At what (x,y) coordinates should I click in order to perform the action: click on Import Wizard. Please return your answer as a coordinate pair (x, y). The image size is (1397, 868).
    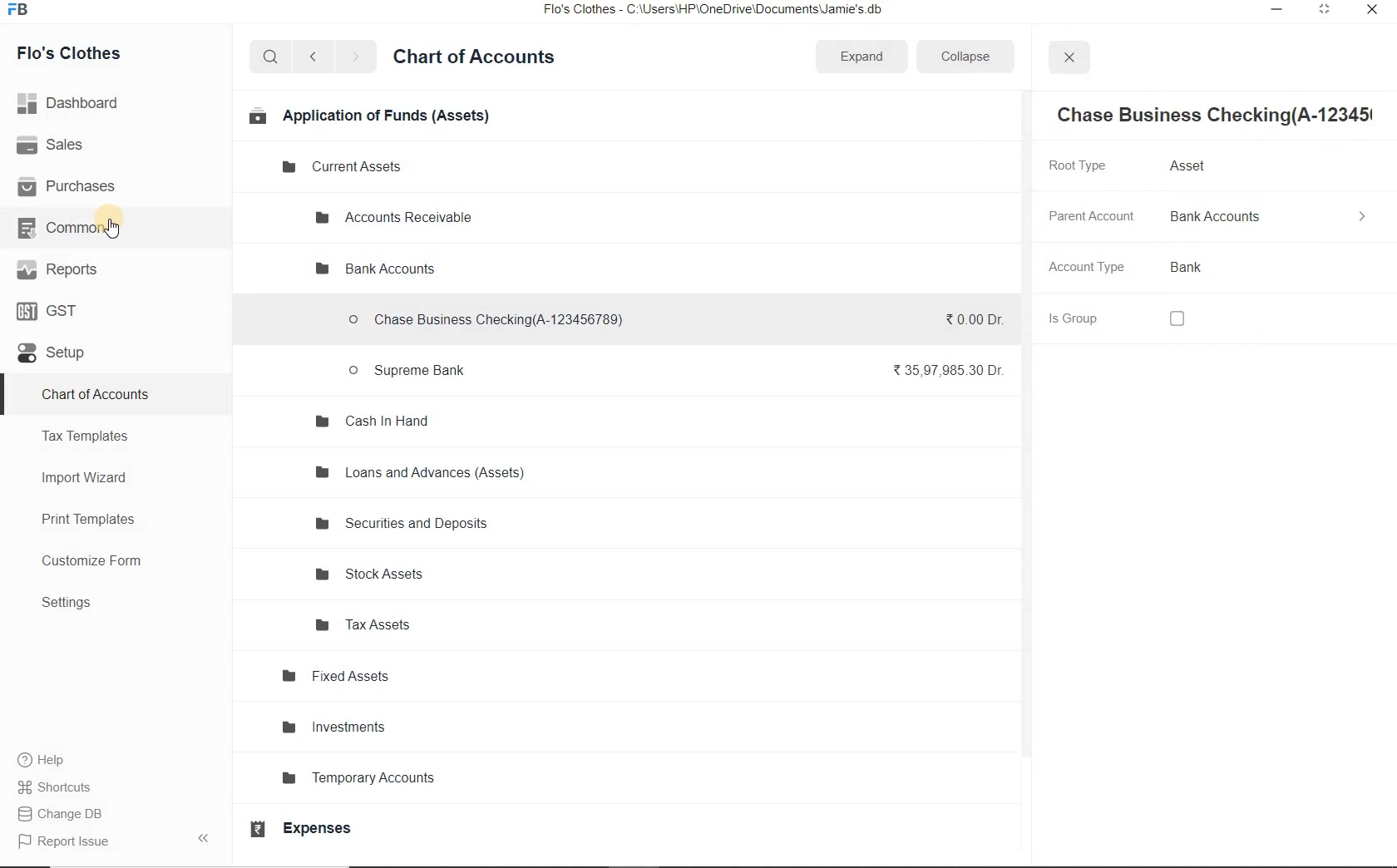
    Looking at the image, I should click on (105, 480).